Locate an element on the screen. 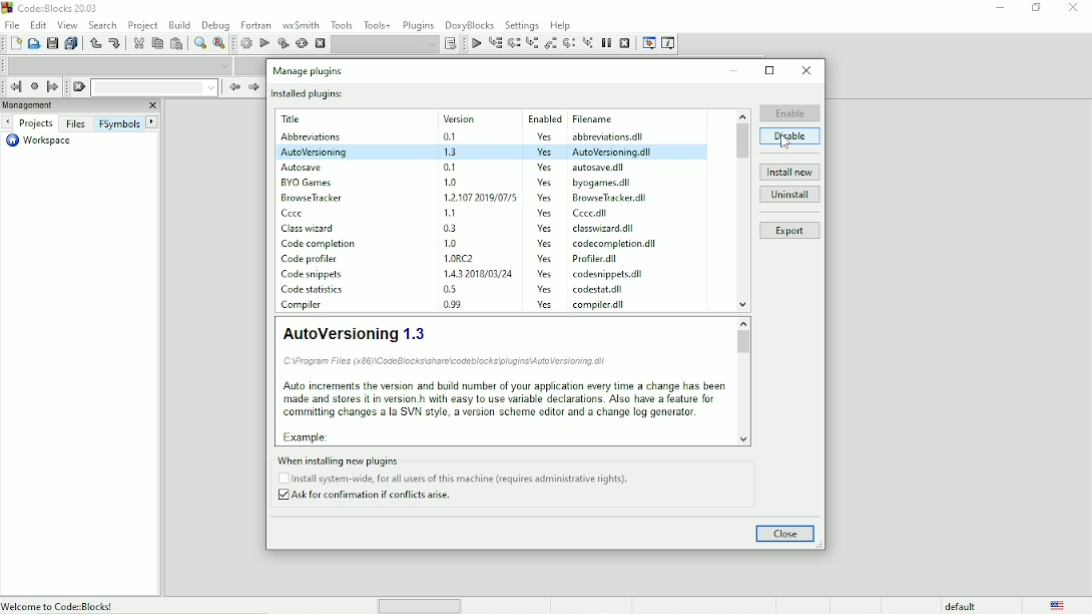 The image size is (1092, 614). Install now is located at coordinates (790, 172).